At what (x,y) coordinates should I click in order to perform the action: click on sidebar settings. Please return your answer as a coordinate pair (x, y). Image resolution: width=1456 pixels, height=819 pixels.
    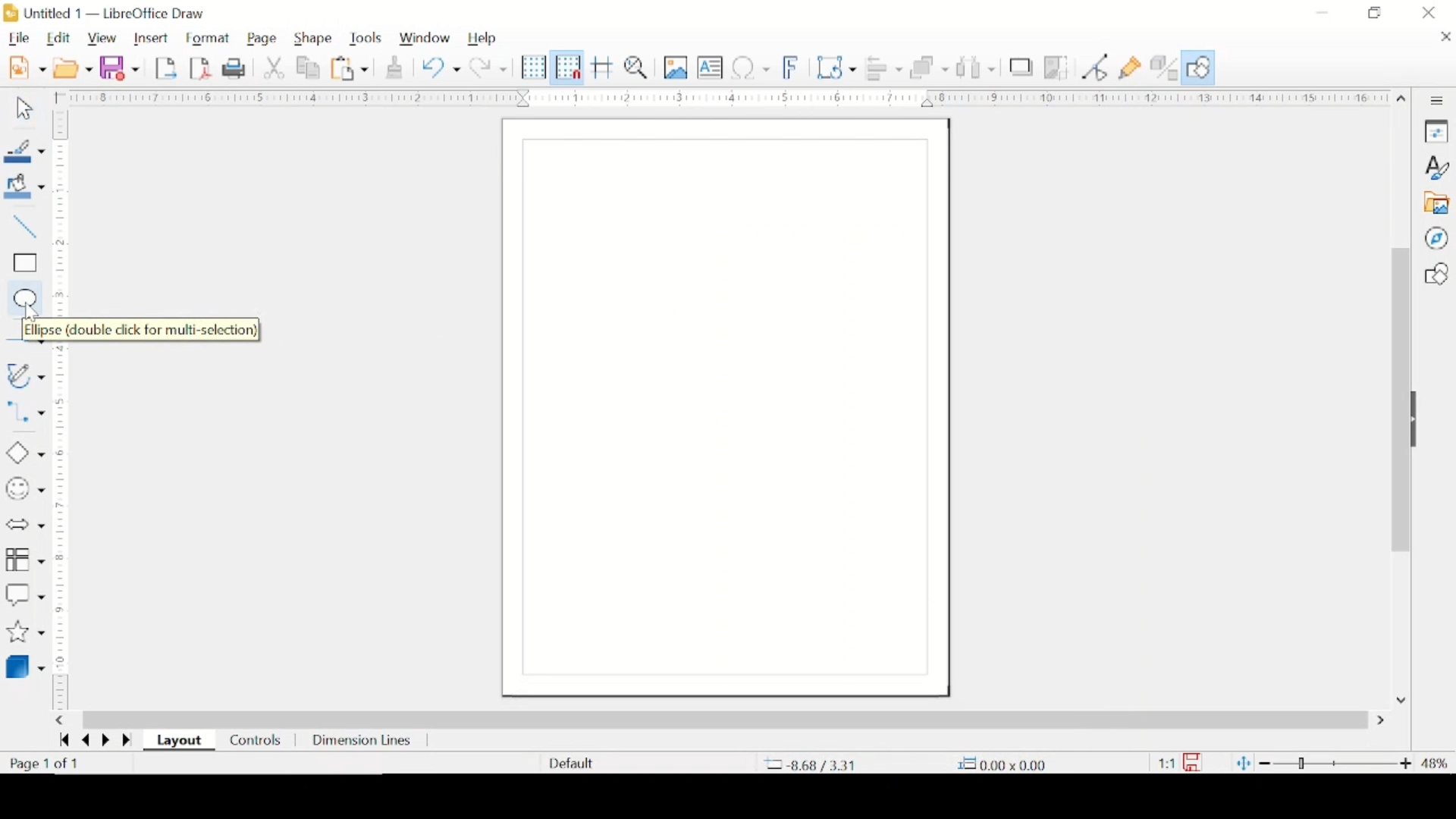
    Looking at the image, I should click on (1439, 100).